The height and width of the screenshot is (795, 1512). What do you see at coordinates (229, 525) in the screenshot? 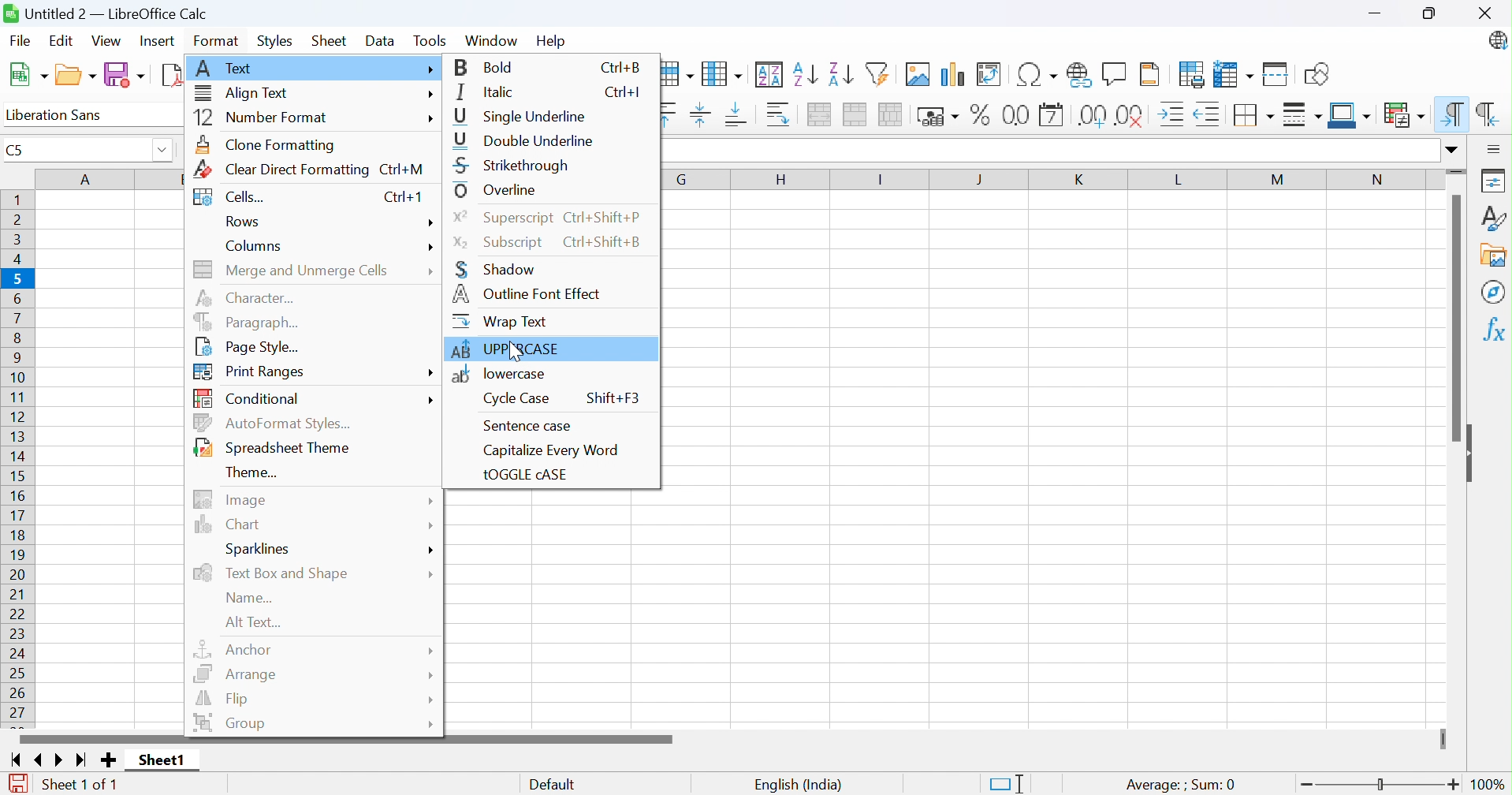
I see `Chart` at bounding box center [229, 525].